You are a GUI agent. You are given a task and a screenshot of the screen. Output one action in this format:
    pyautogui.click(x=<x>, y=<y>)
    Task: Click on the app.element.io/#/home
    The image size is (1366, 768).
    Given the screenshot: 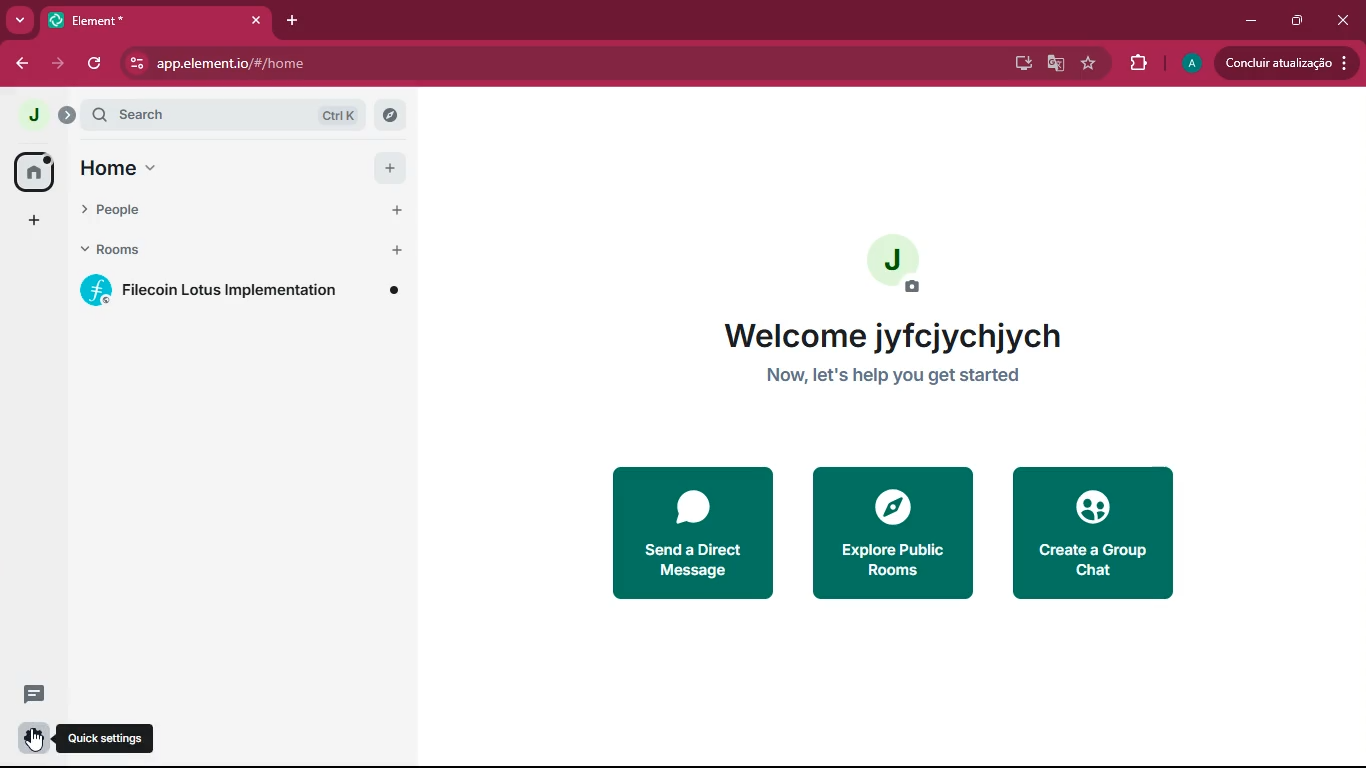 What is the action you would take?
    pyautogui.click(x=495, y=65)
    